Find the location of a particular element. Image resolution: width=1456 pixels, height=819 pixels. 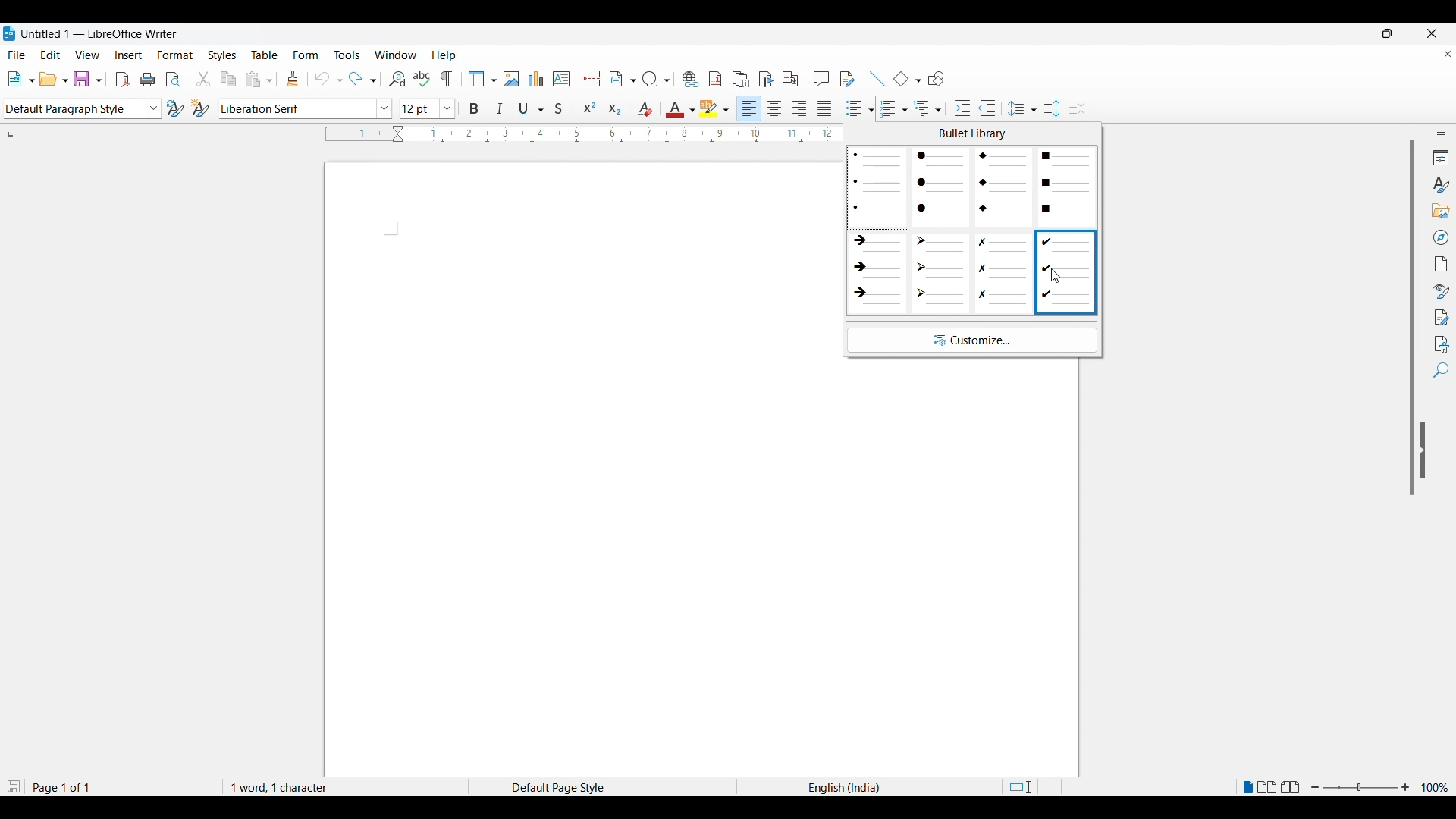

maximise is located at coordinates (1384, 33).